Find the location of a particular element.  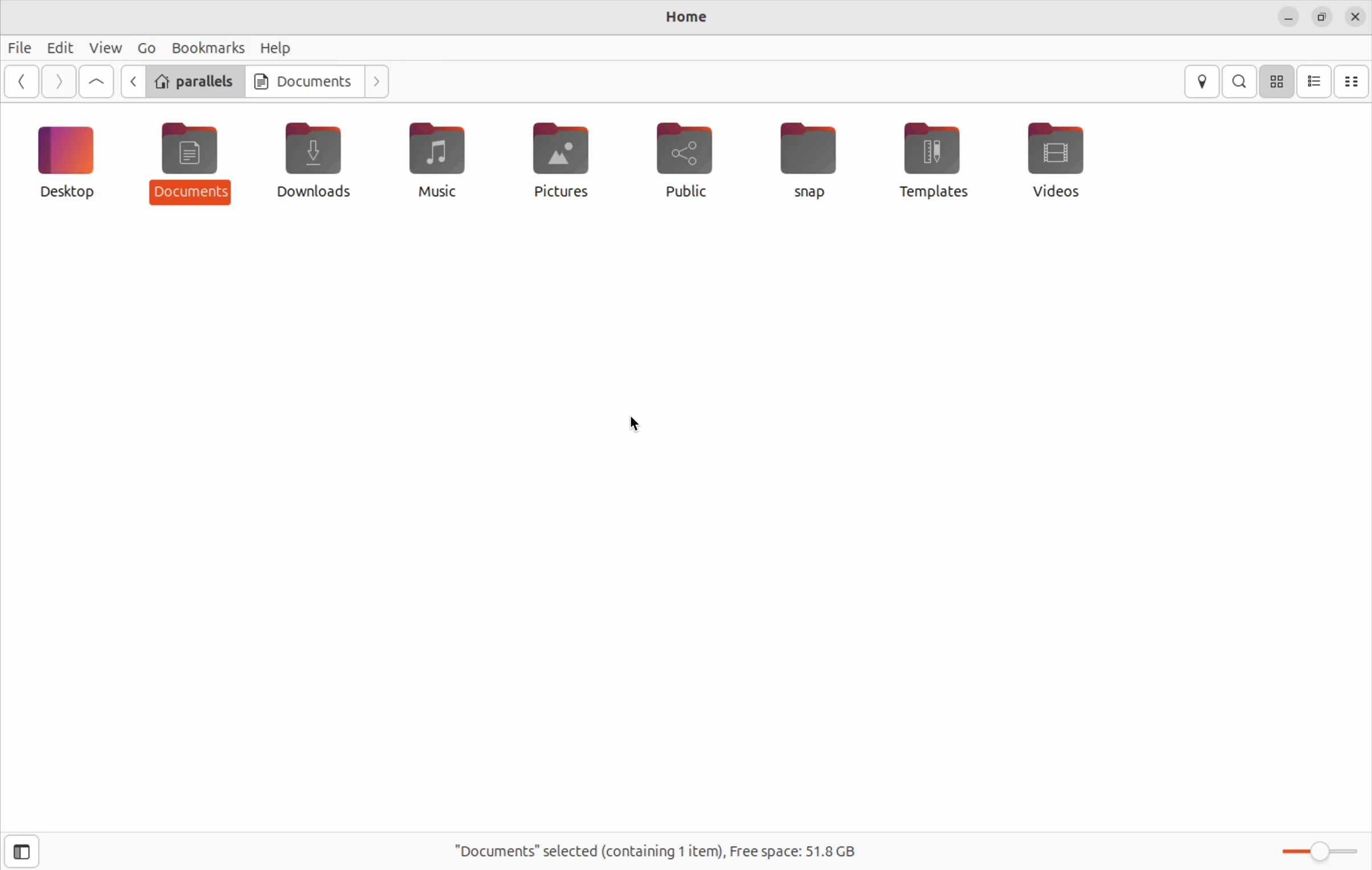

Documents is located at coordinates (189, 165).